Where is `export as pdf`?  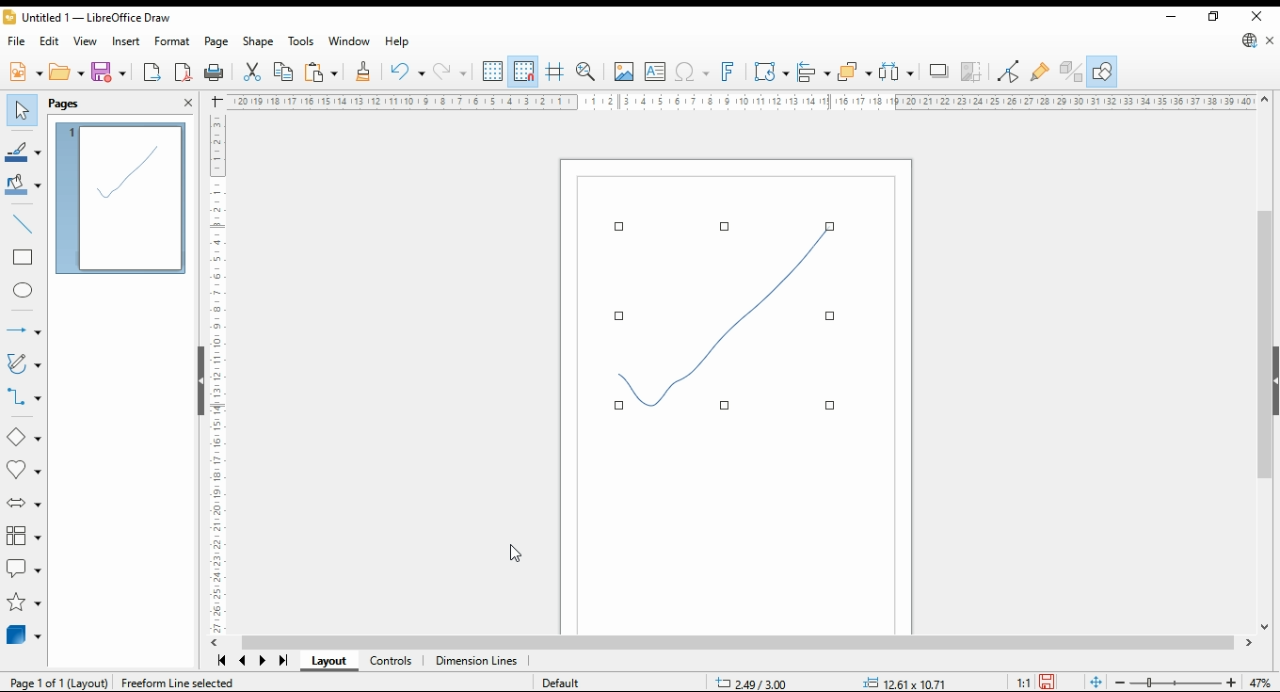
export as pdf is located at coordinates (183, 73).